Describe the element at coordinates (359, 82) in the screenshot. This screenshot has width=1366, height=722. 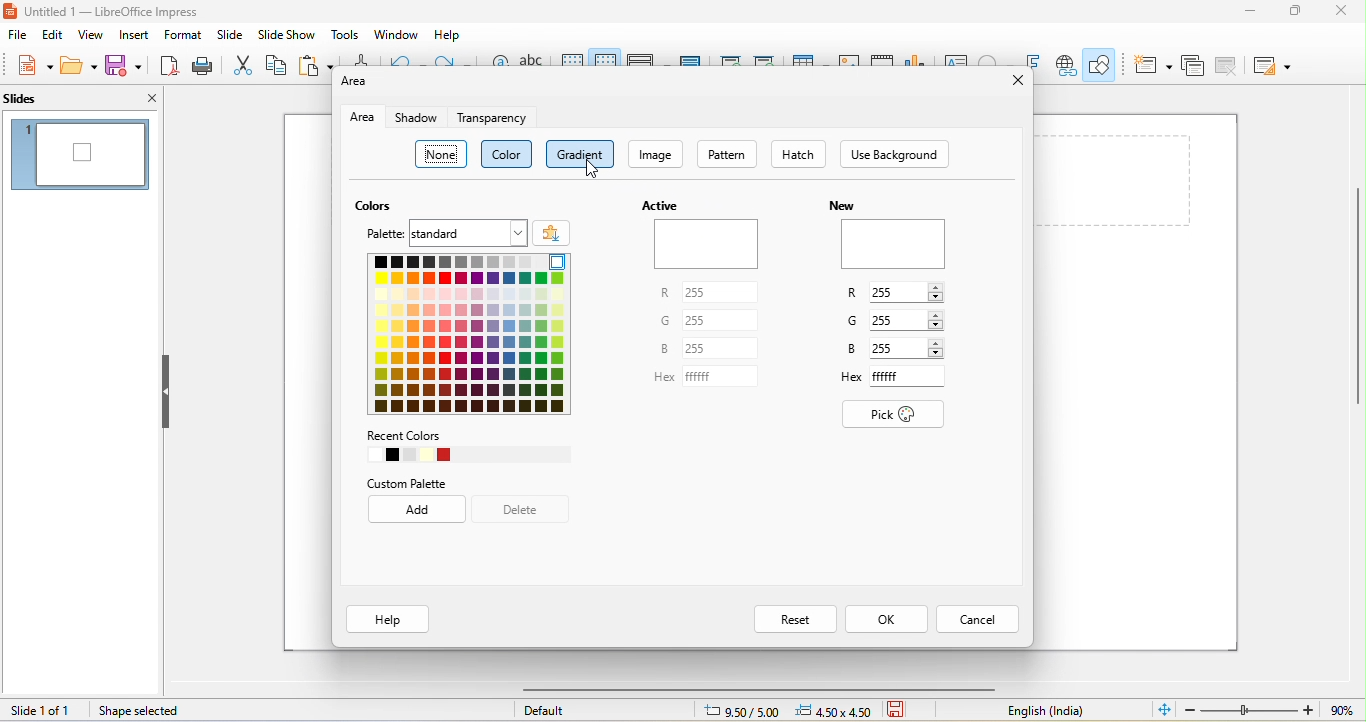
I see `area` at that location.